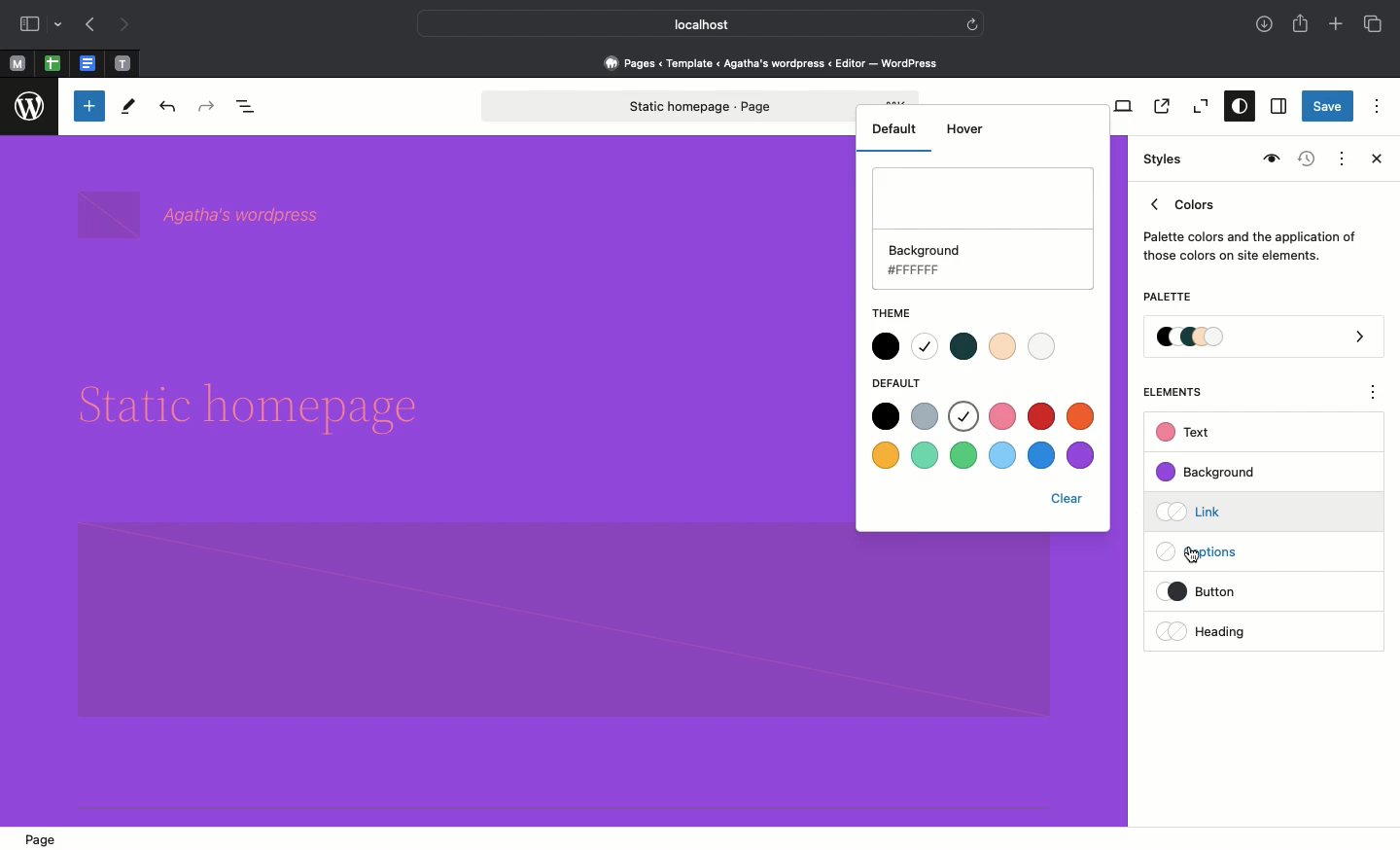  I want to click on options, so click(1374, 395).